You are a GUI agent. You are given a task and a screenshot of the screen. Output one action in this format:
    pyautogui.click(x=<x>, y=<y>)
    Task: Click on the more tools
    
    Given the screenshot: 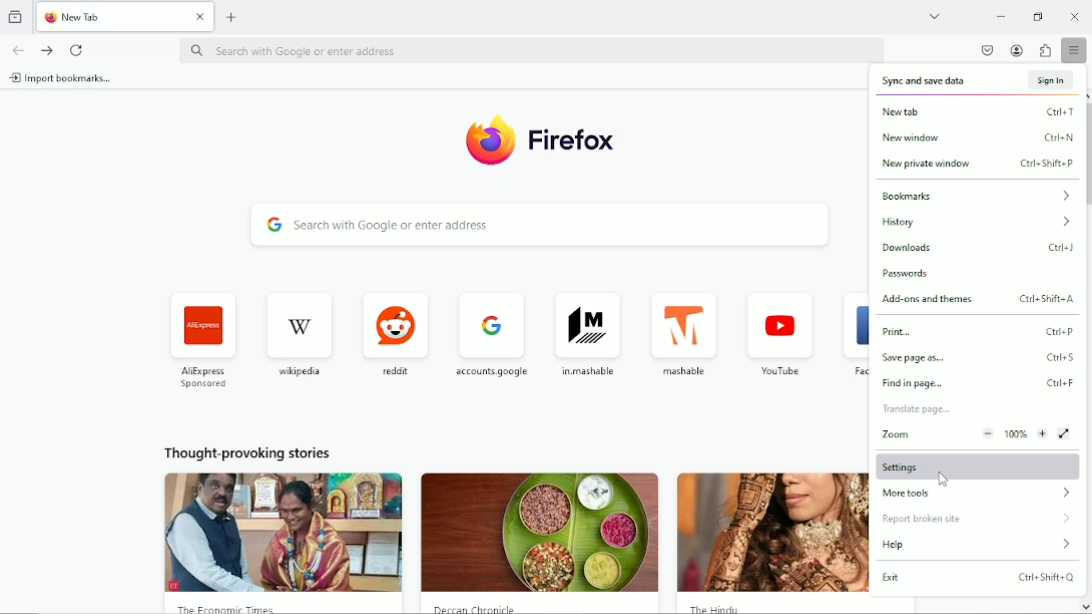 What is the action you would take?
    pyautogui.click(x=980, y=495)
    